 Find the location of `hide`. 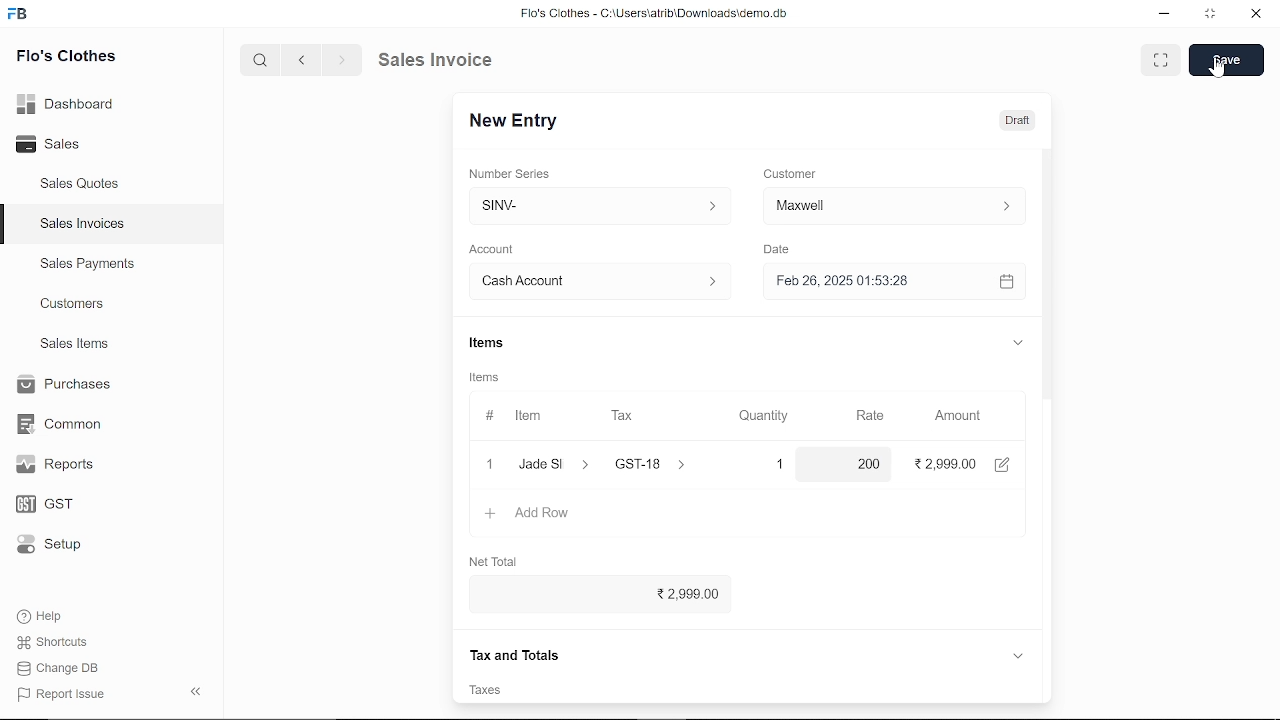

hide is located at coordinates (197, 689).